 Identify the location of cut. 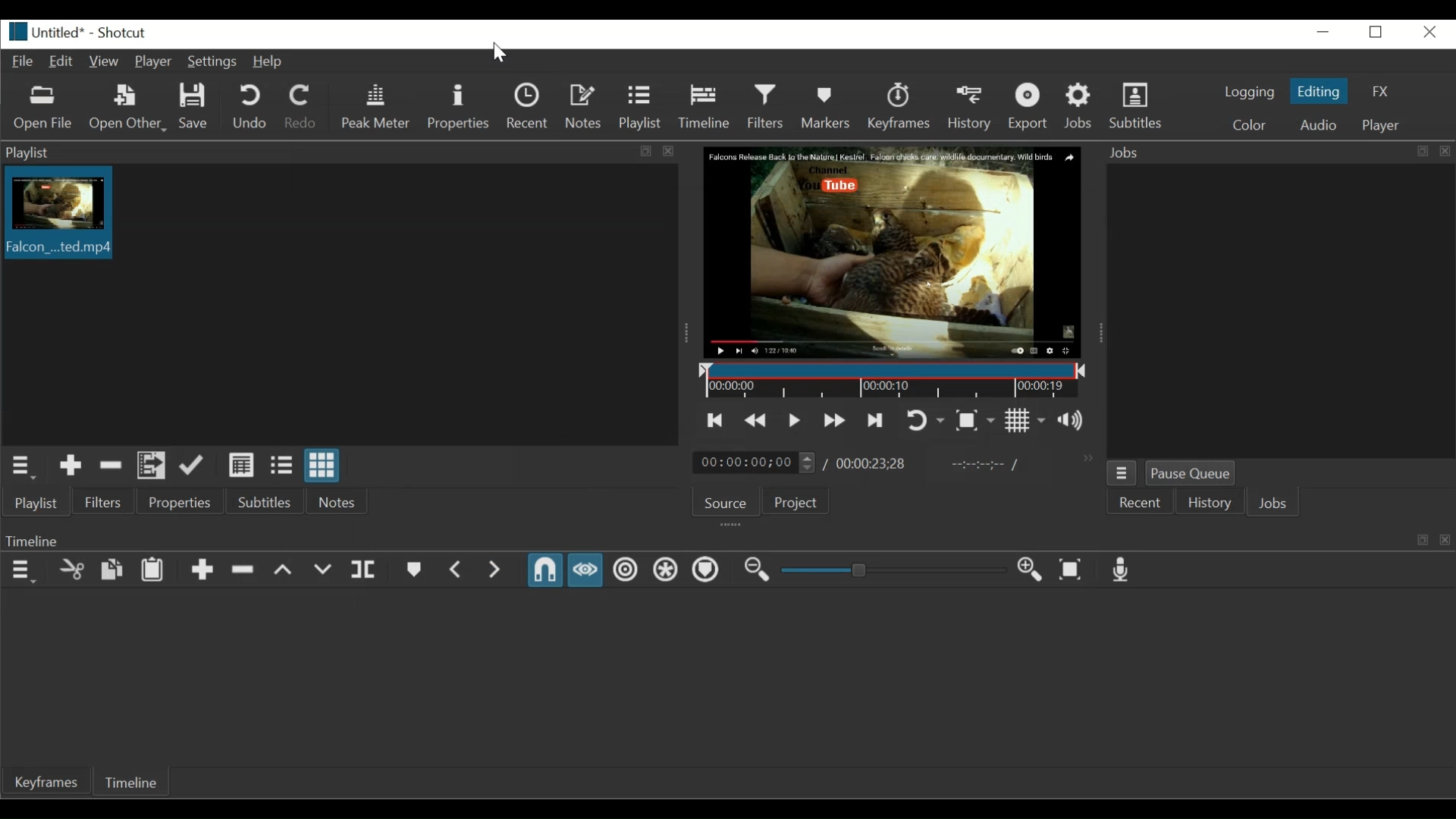
(67, 570).